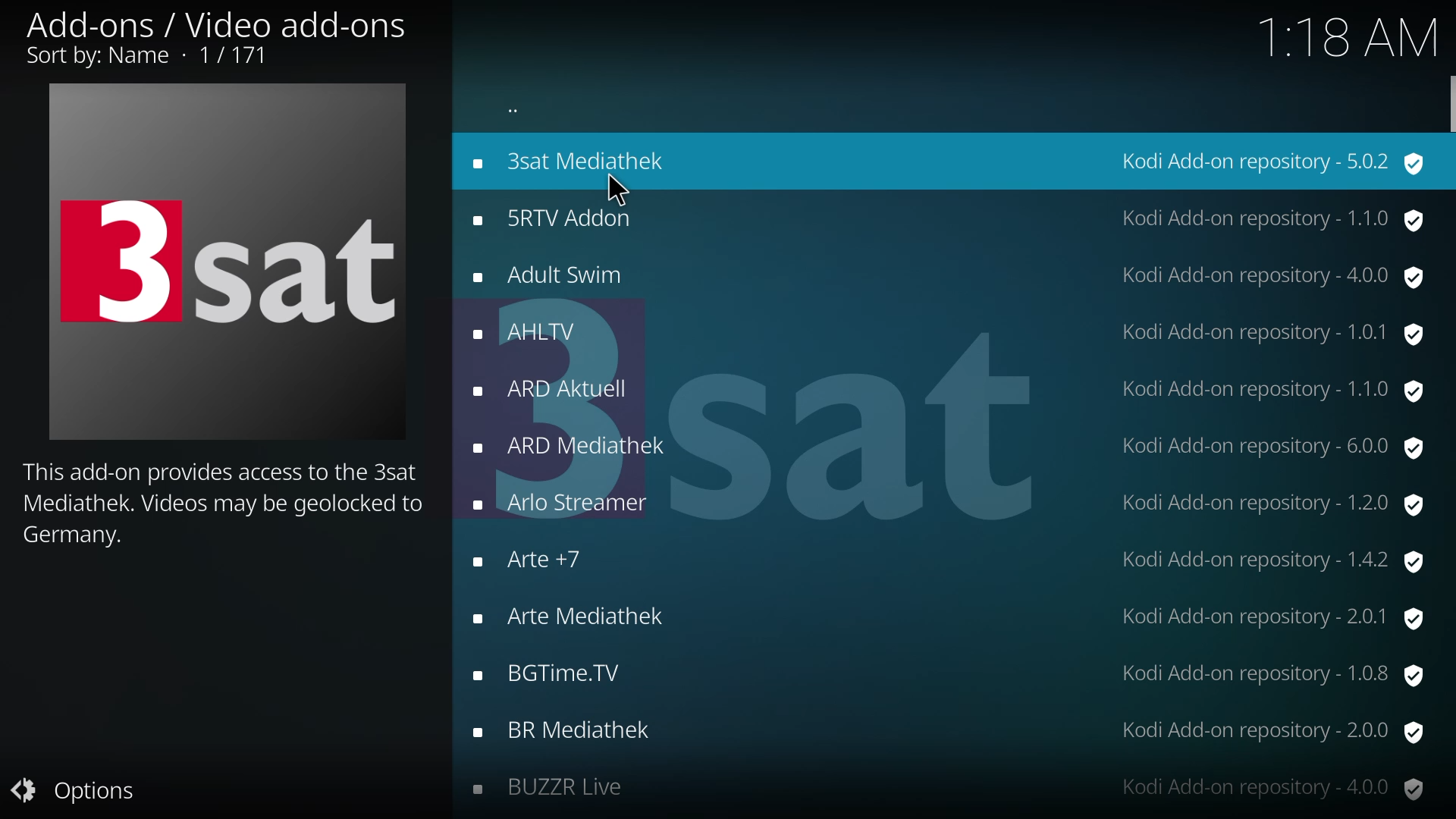  I want to click on cursor, so click(623, 190).